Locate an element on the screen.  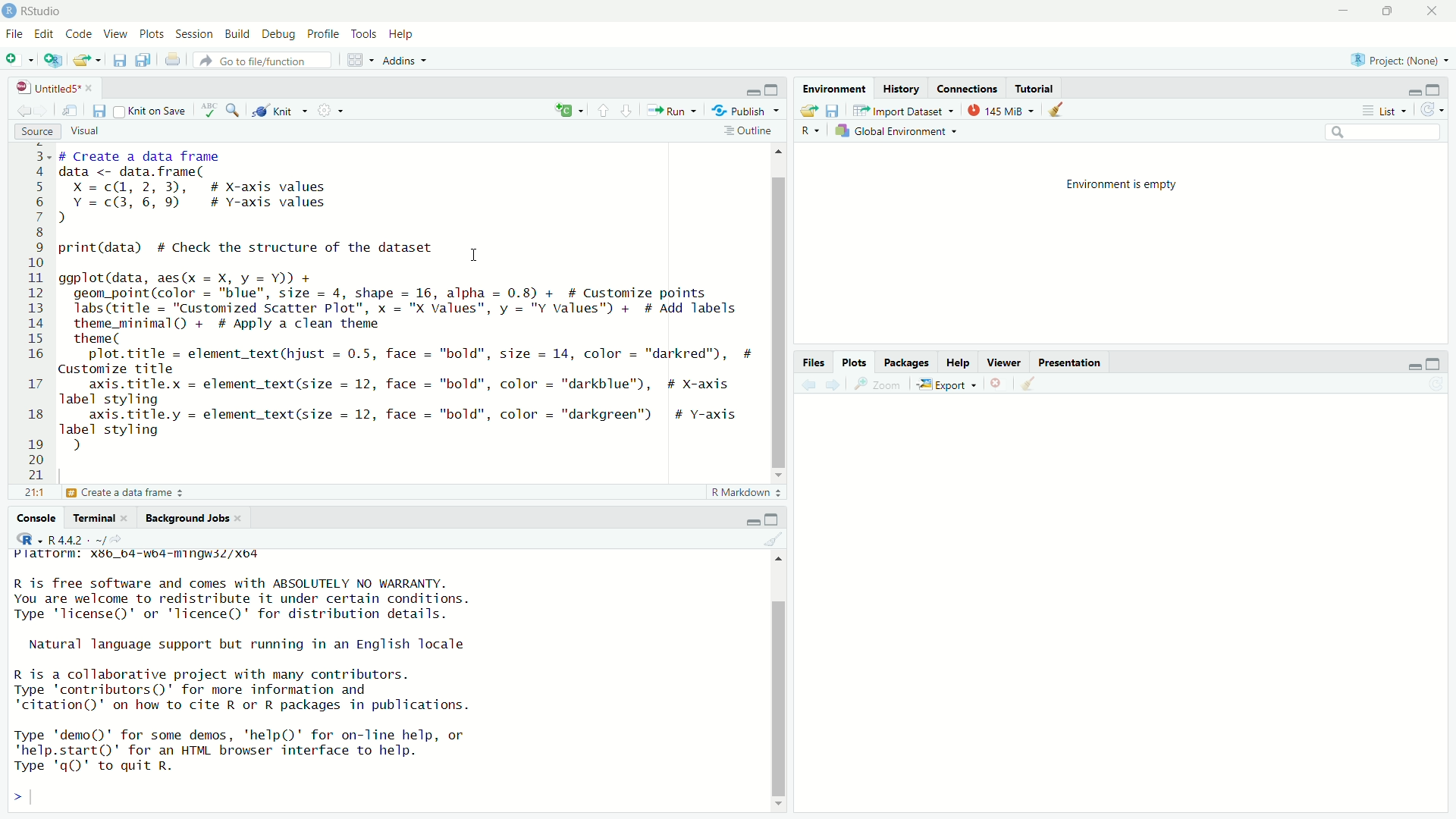
R studio is located at coordinates (42, 11).